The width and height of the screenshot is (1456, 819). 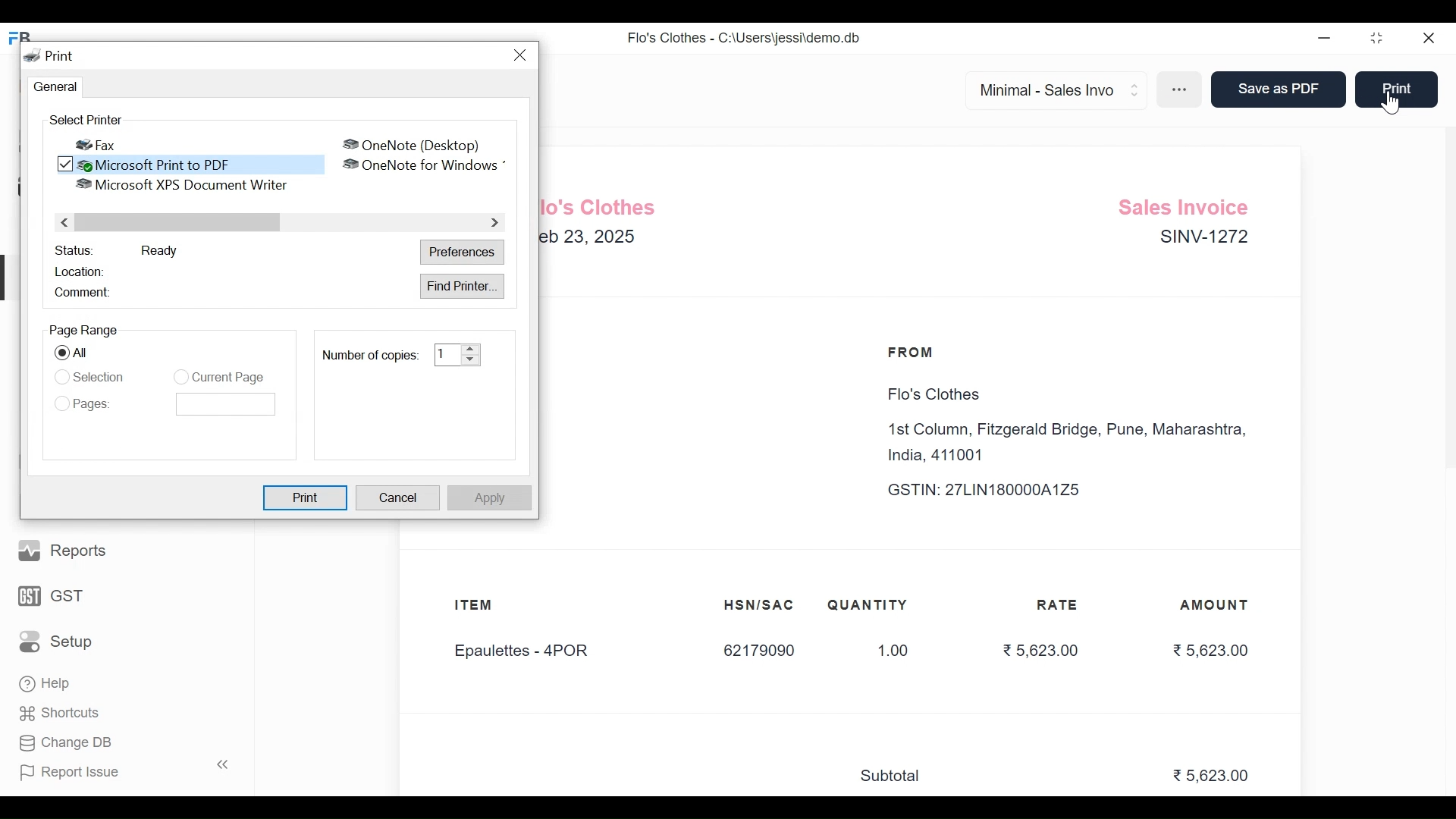 I want to click on OneNote (Desktop), so click(x=412, y=144).